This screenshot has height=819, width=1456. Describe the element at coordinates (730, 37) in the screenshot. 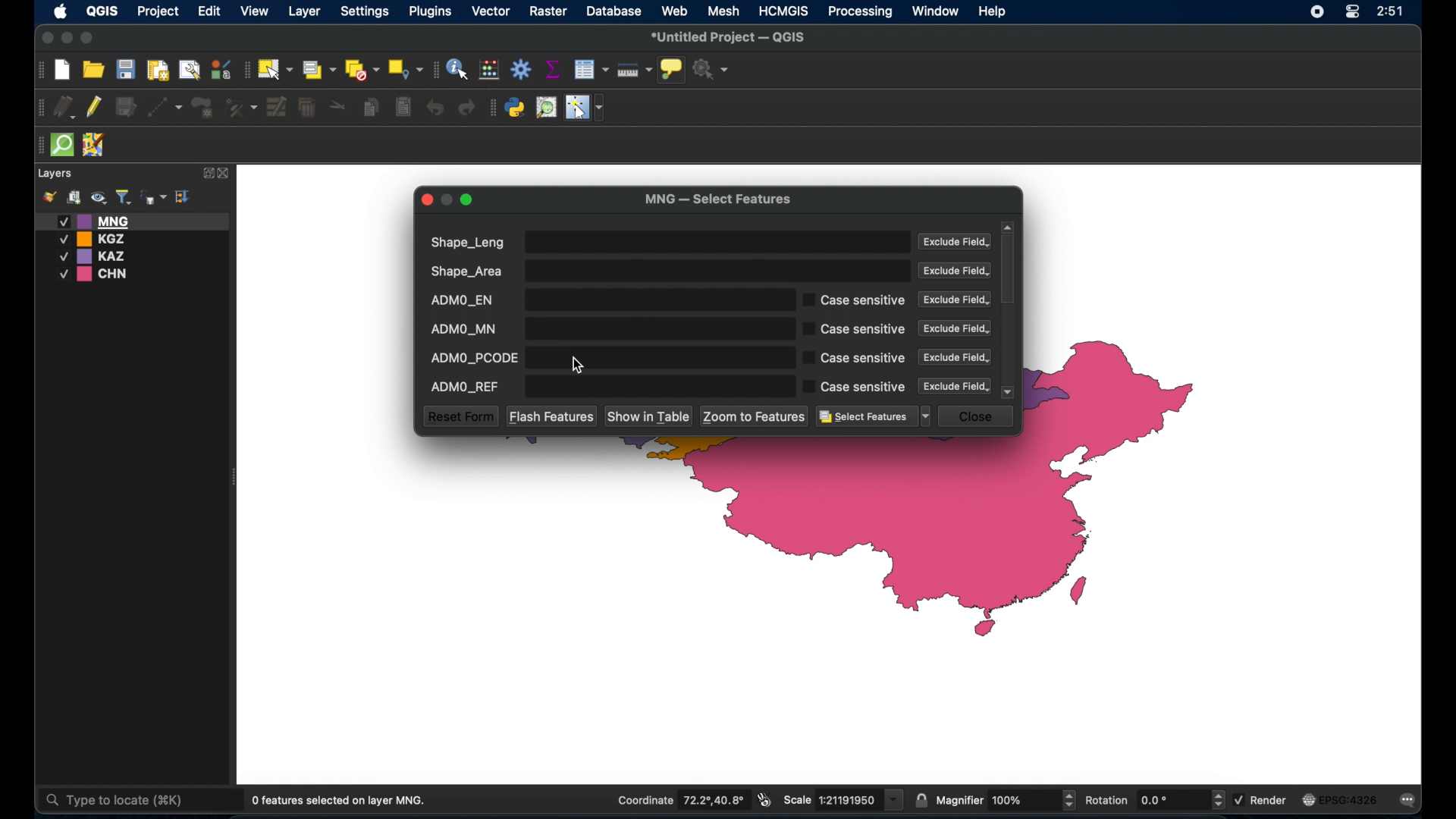

I see `untitled project - QGIS` at that location.